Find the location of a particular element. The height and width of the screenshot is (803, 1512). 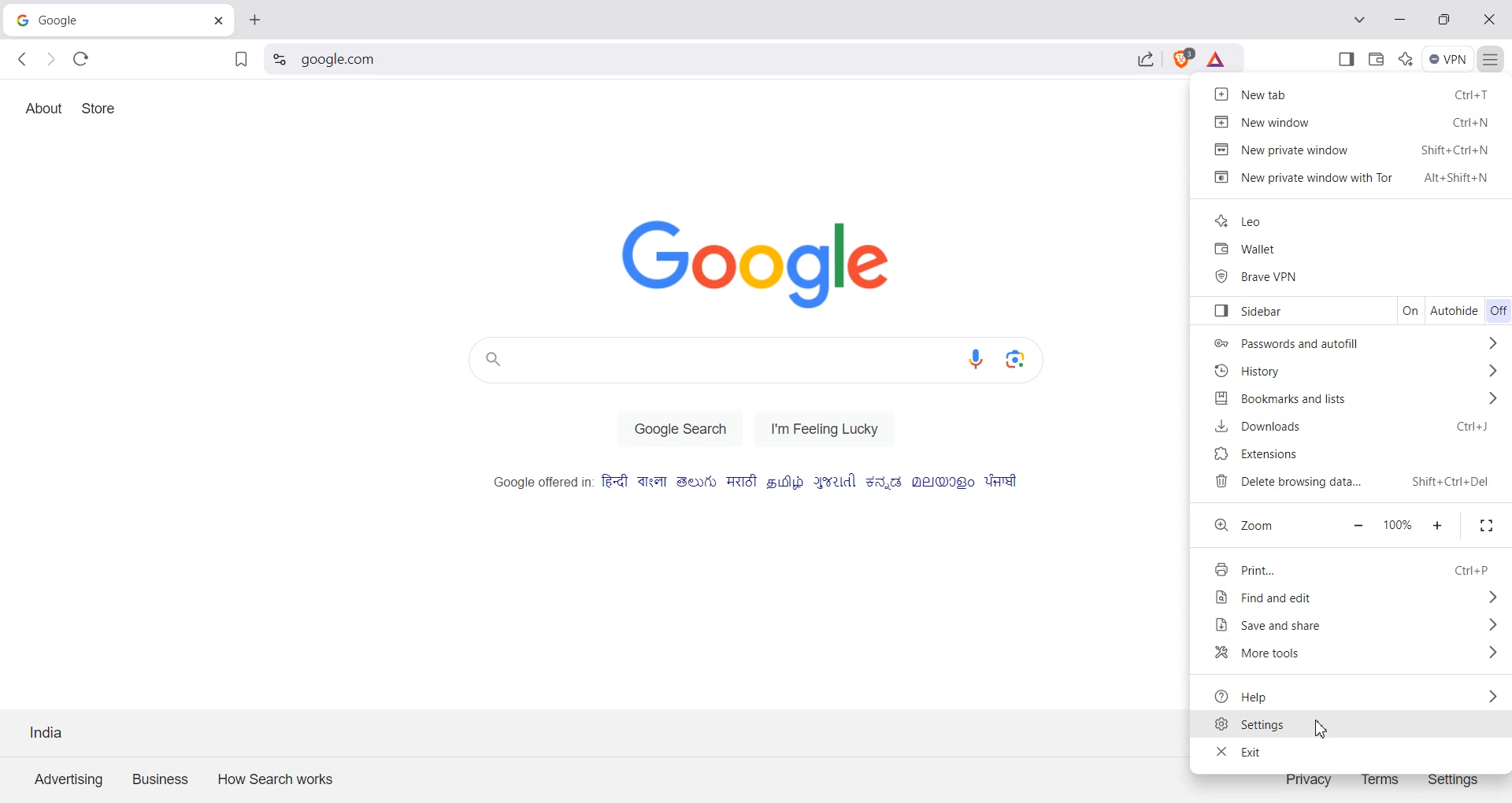

Brave Shield is located at coordinates (1181, 61).